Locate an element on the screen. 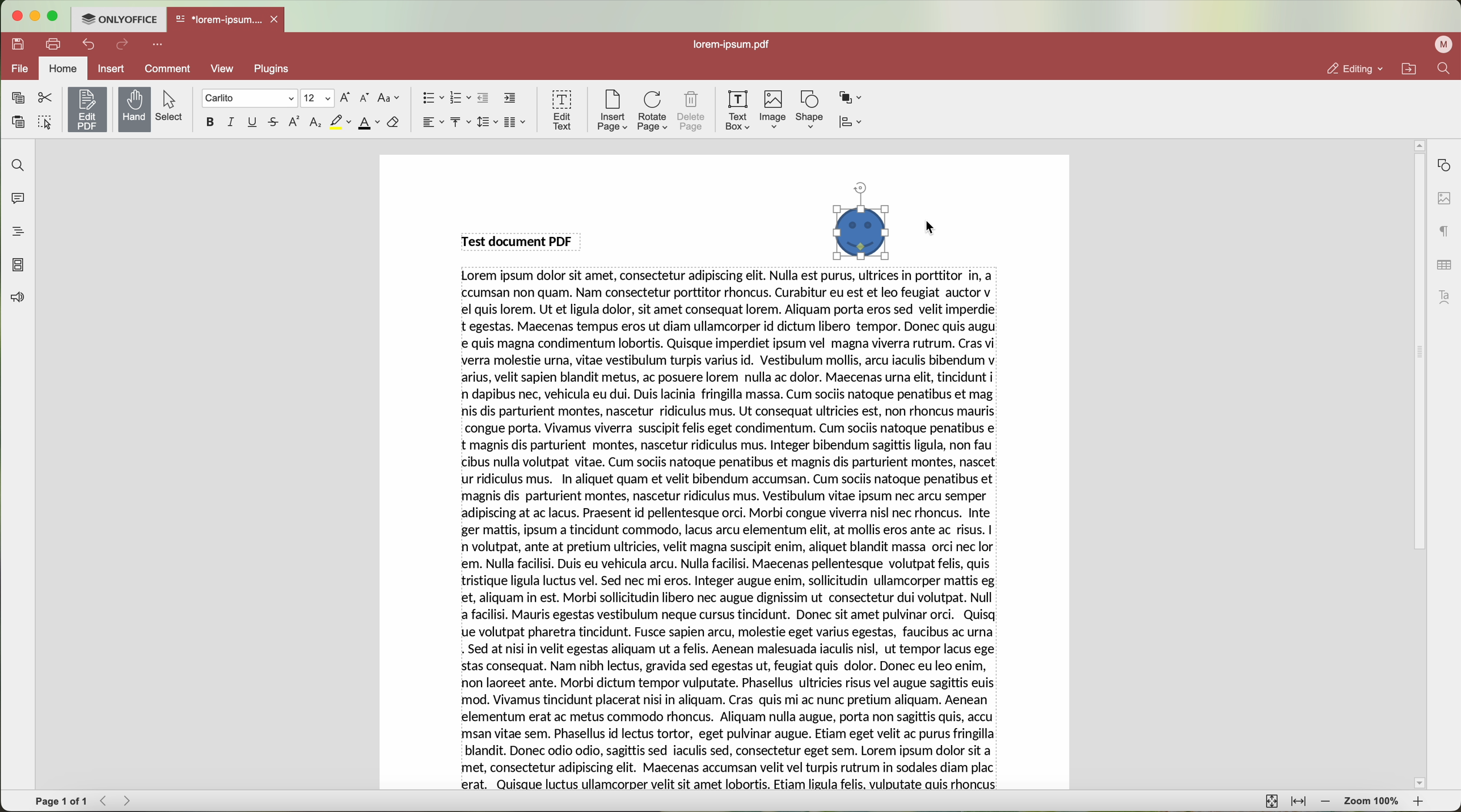 The image size is (1461, 812). hand is located at coordinates (134, 109).